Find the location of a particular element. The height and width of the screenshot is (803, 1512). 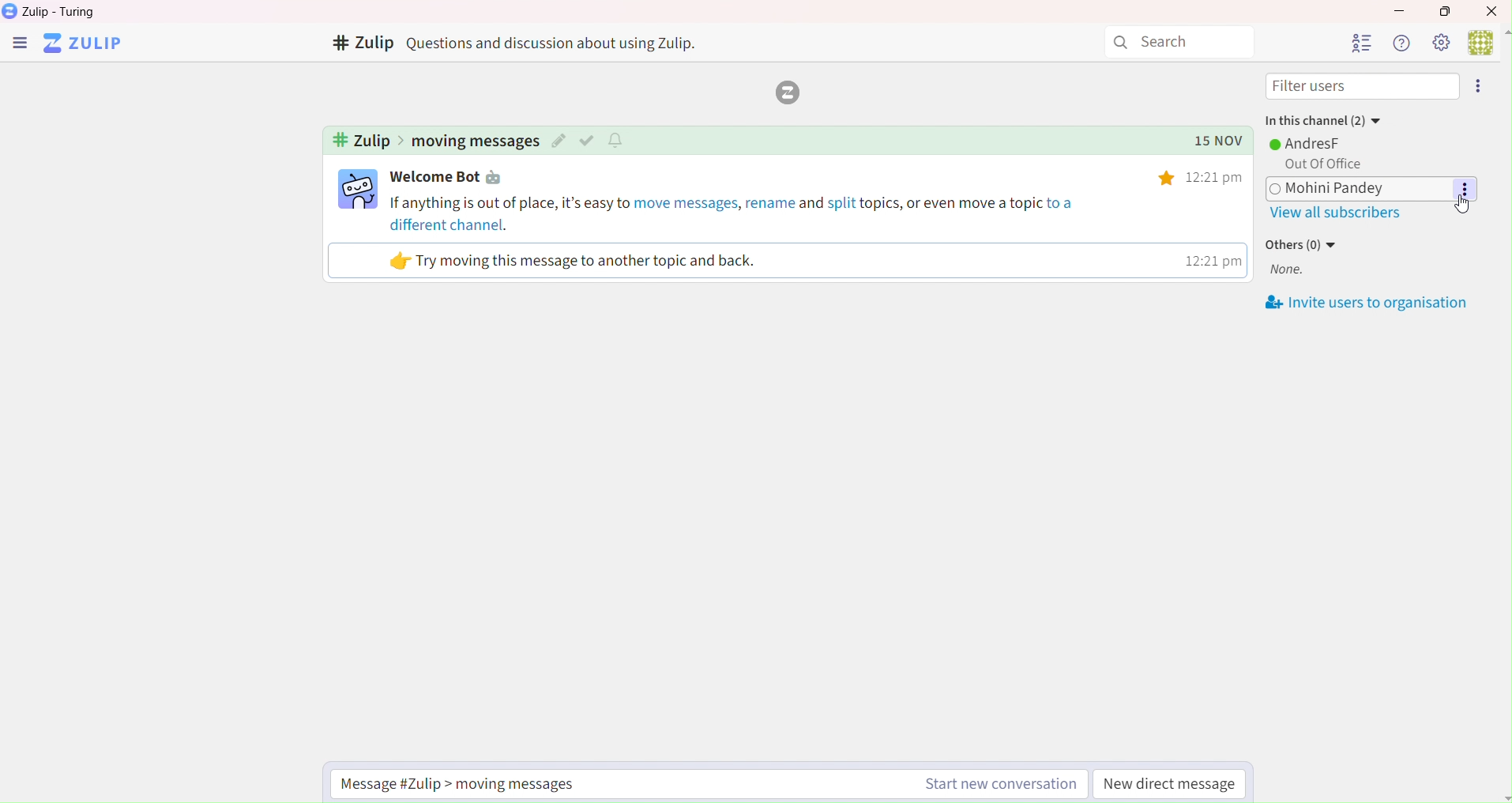

New Direct Message is located at coordinates (1171, 786).